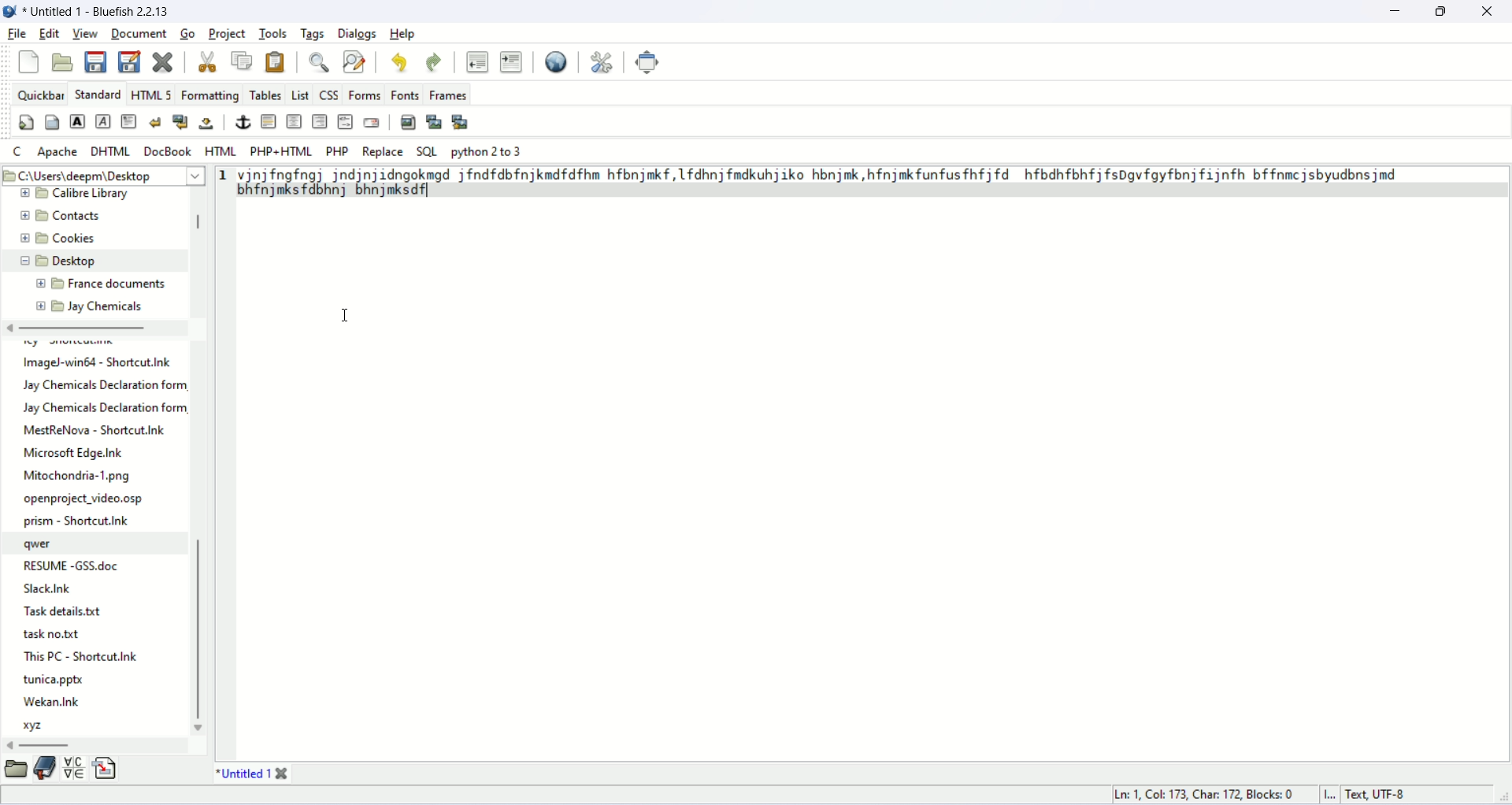  Describe the element at coordinates (98, 94) in the screenshot. I see `STANDARD` at that location.